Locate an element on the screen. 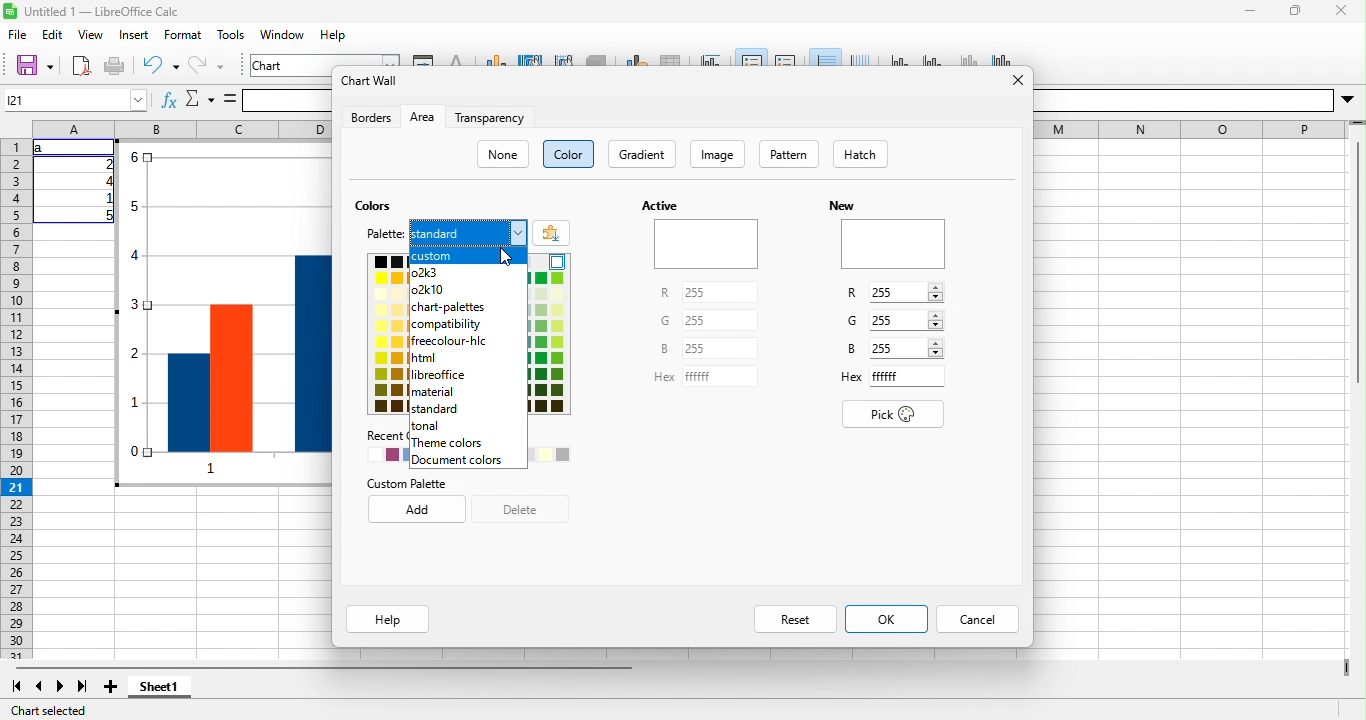  2 is located at coordinates (106, 164).